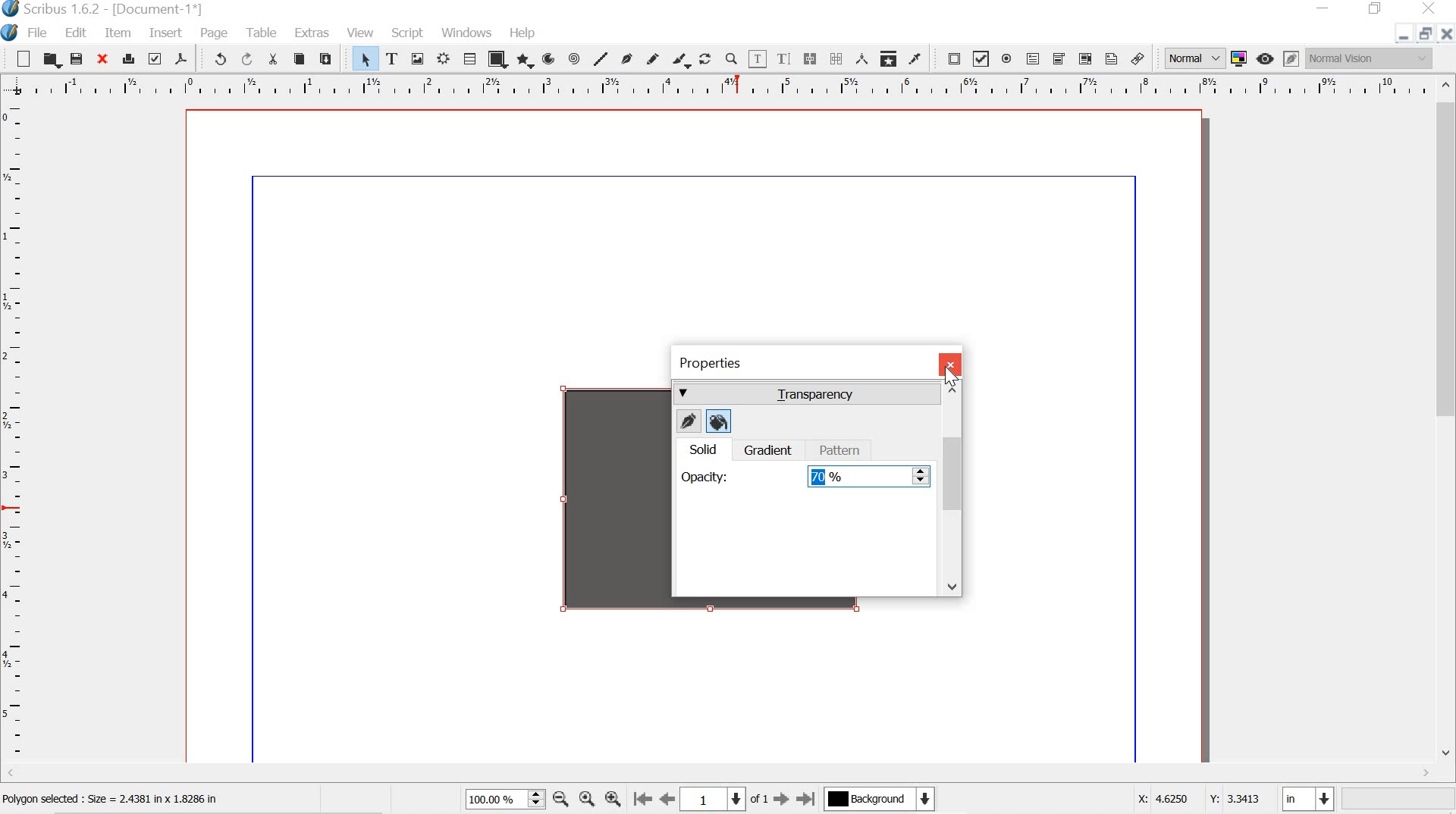 Image resolution: width=1456 pixels, height=814 pixels. I want to click on ruler, so click(14, 434).